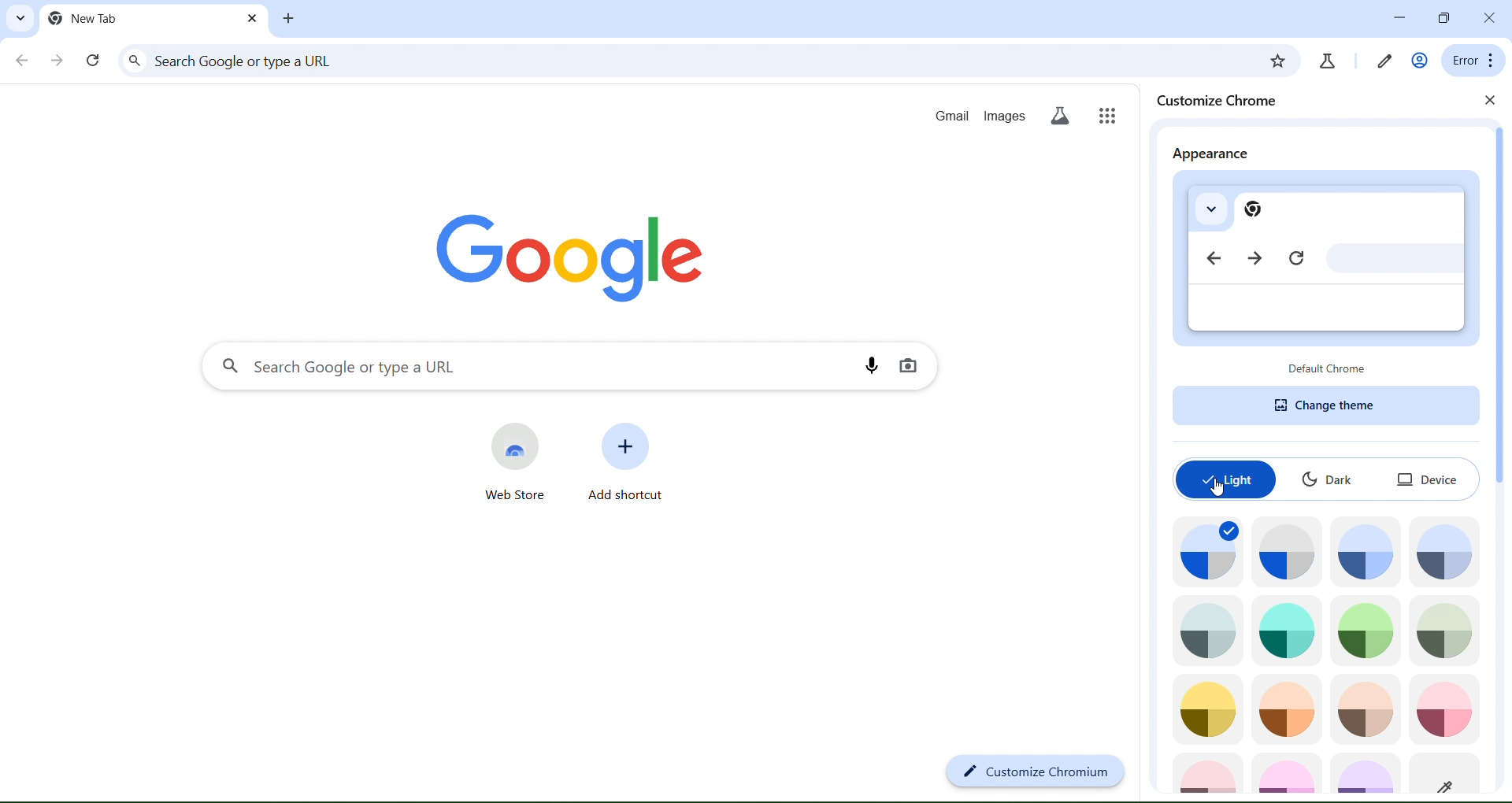  What do you see at coordinates (1225, 479) in the screenshot?
I see `light` at bounding box center [1225, 479].